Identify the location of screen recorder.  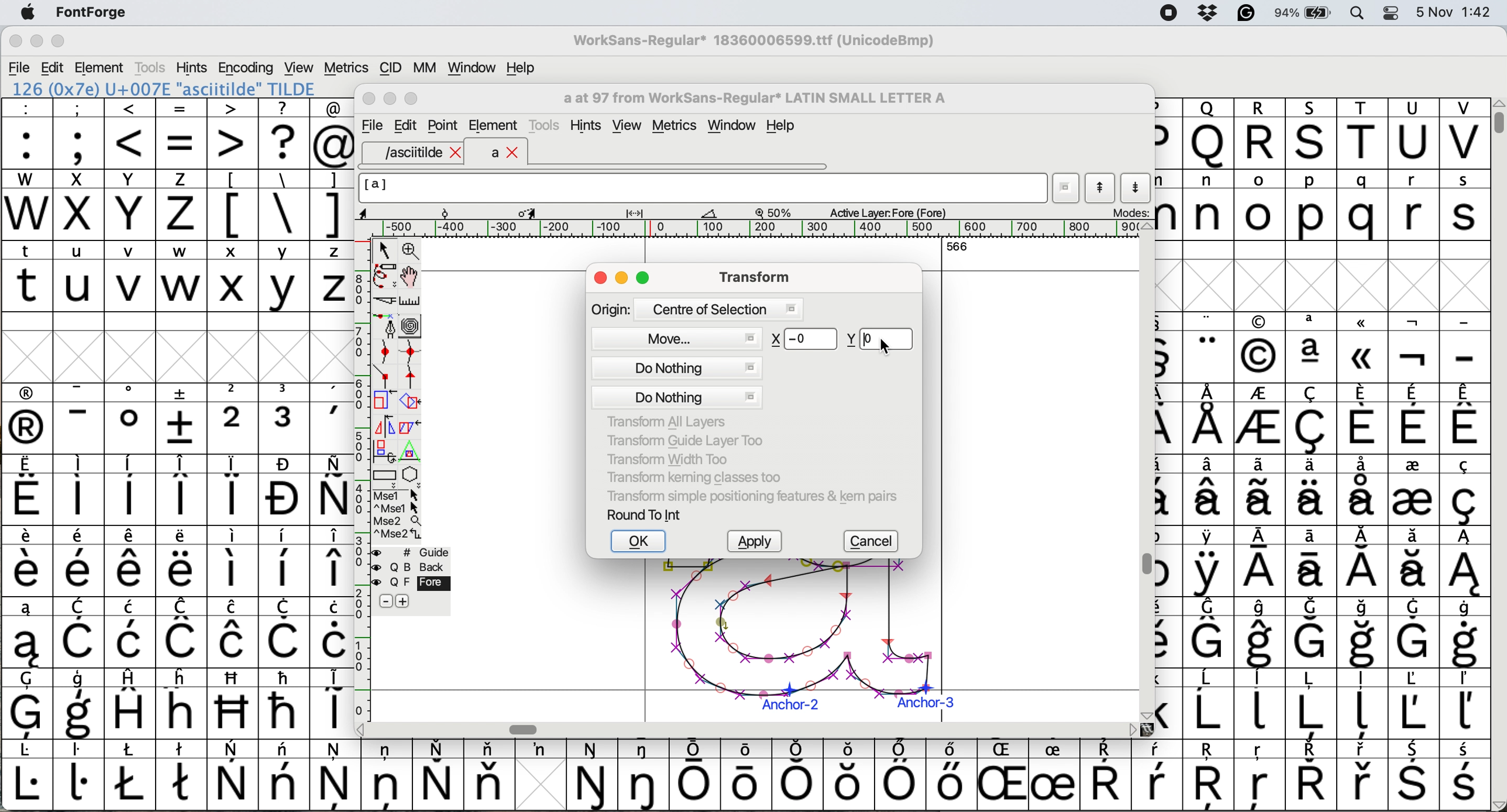
(1167, 14).